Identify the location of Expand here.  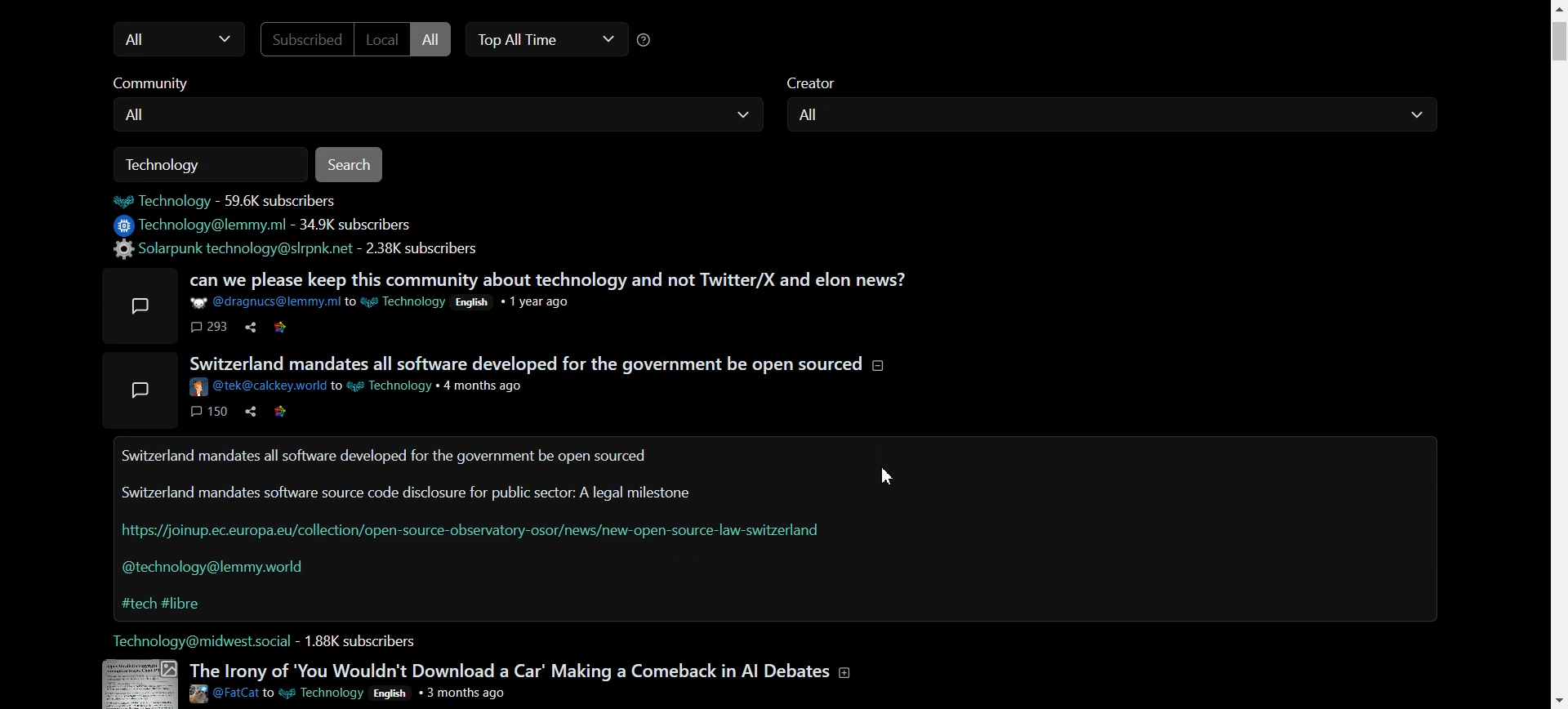
(141, 390).